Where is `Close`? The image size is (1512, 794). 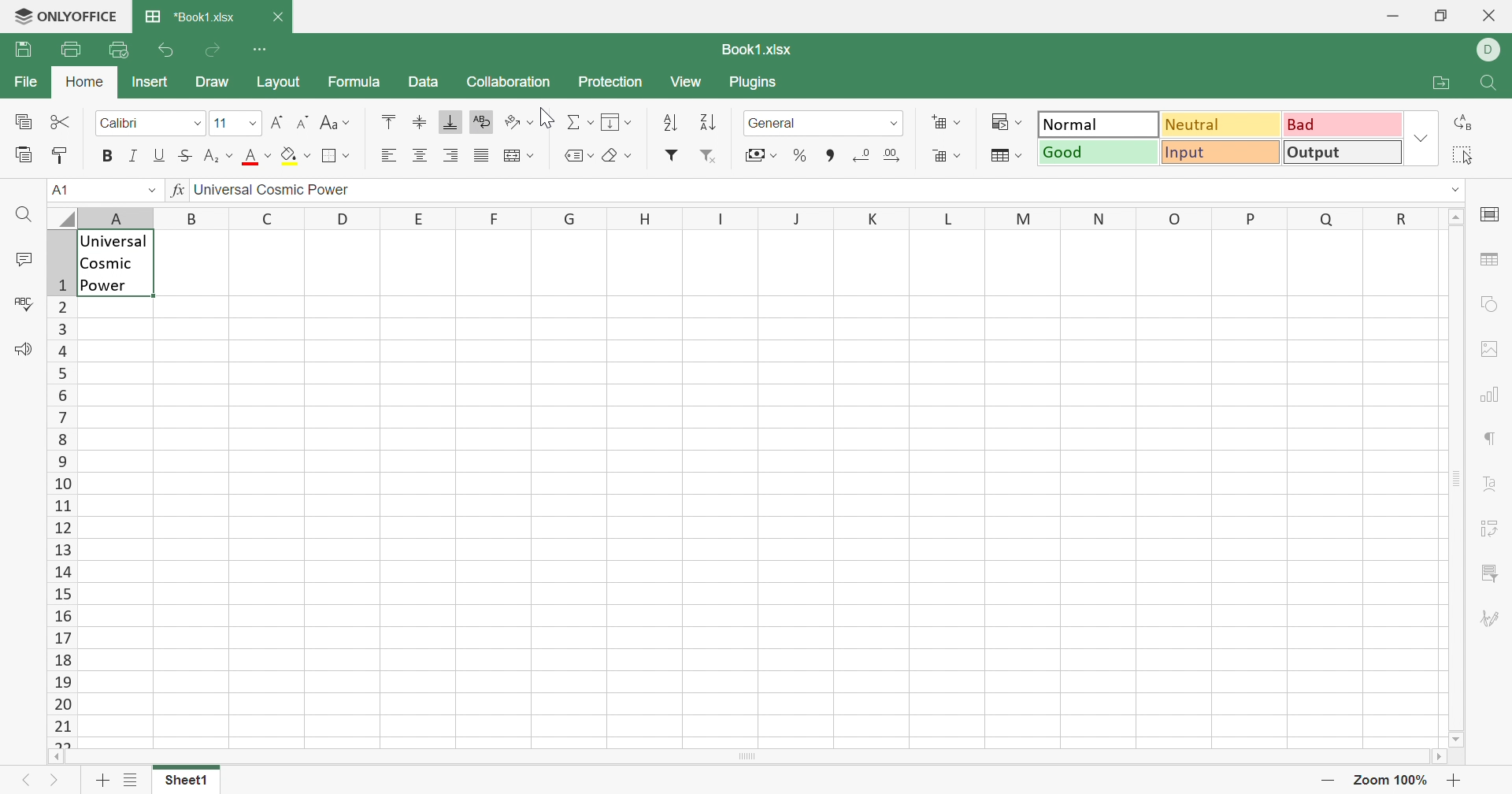 Close is located at coordinates (1494, 14).